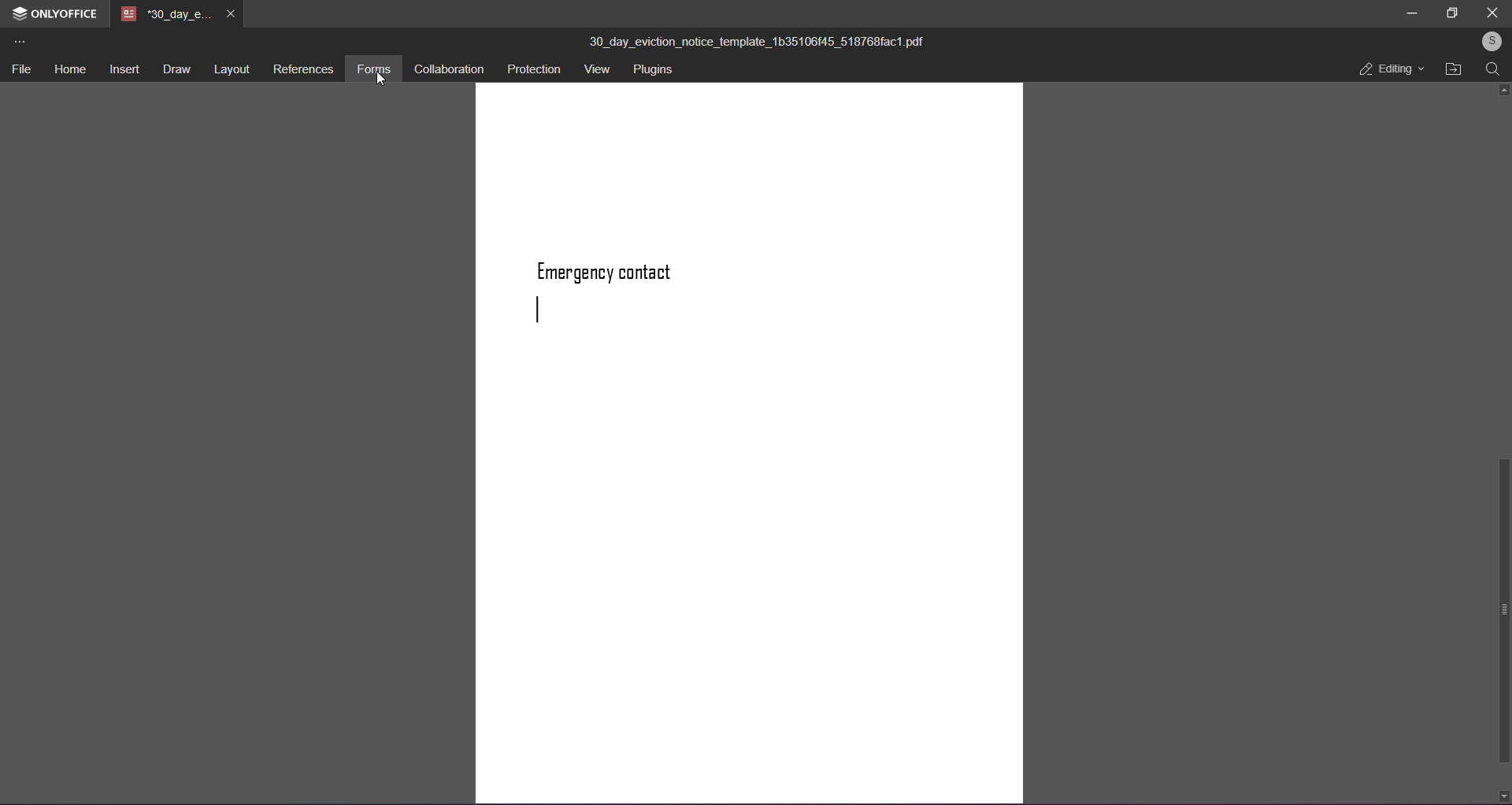 This screenshot has width=1512, height=805. I want to click on onlyoffice, so click(65, 14).